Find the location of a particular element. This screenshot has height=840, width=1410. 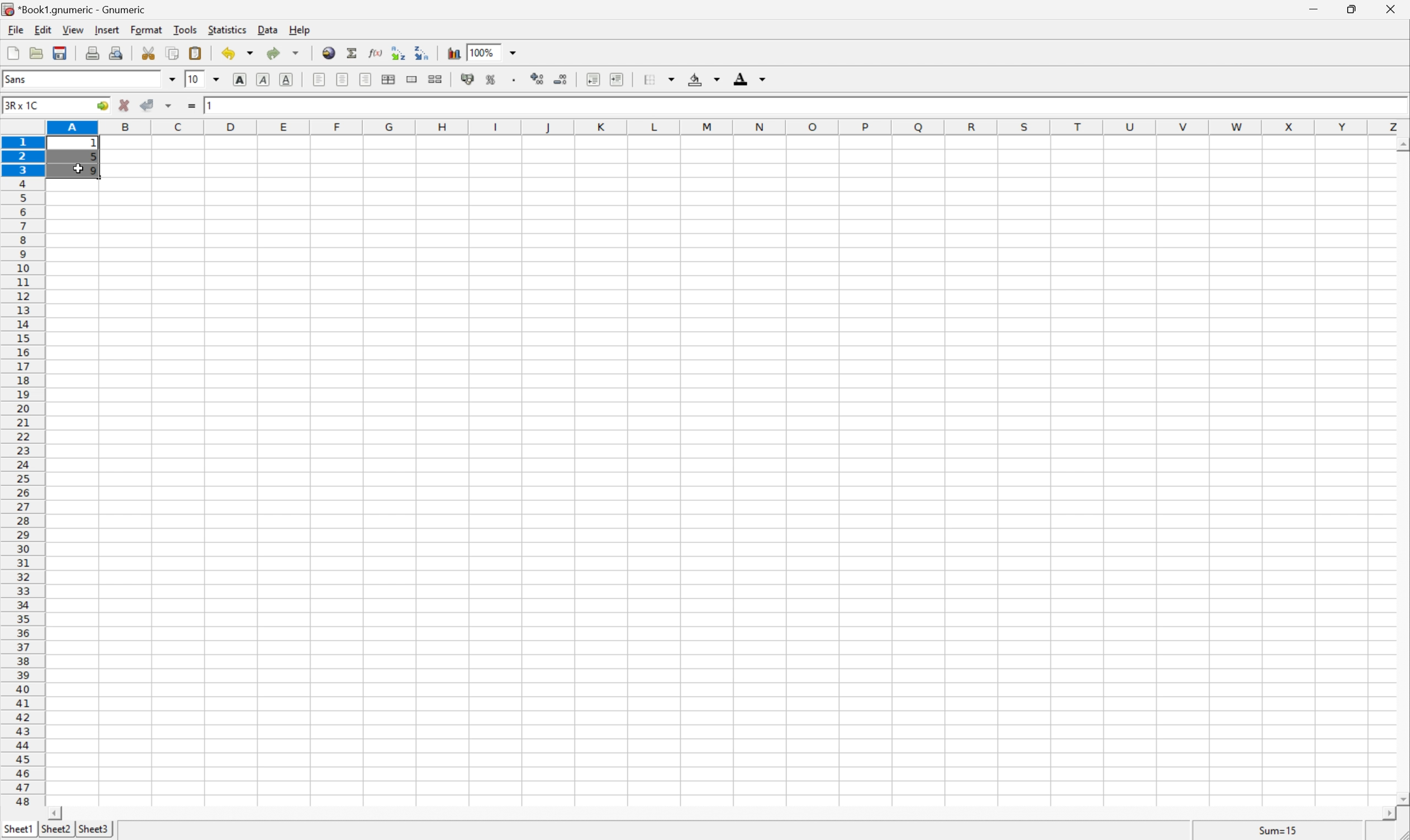

100% is located at coordinates (481, 52).